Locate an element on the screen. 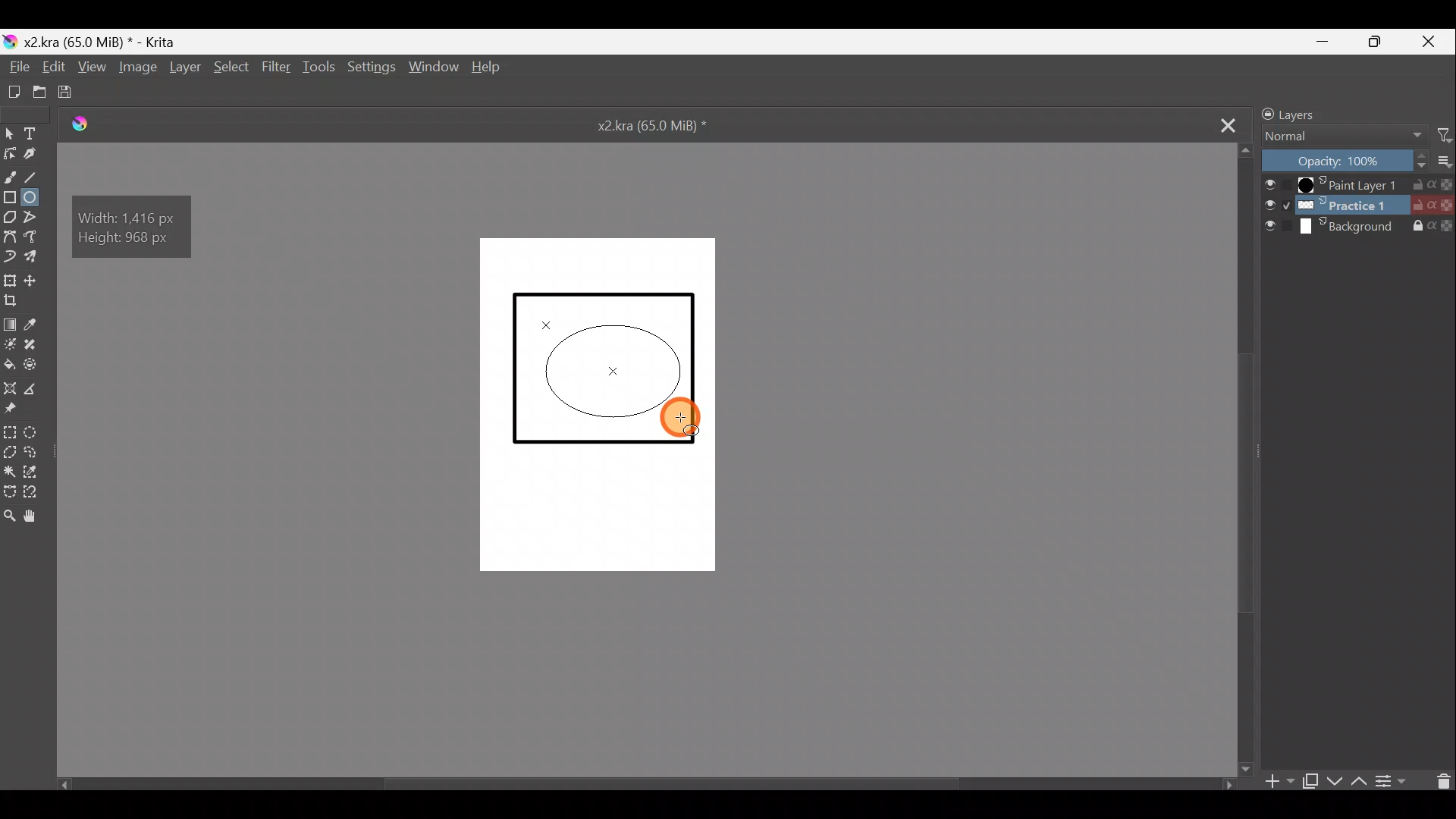 This screenshot has width=1456, height=819. Background is located at coordinates (1361, 231).